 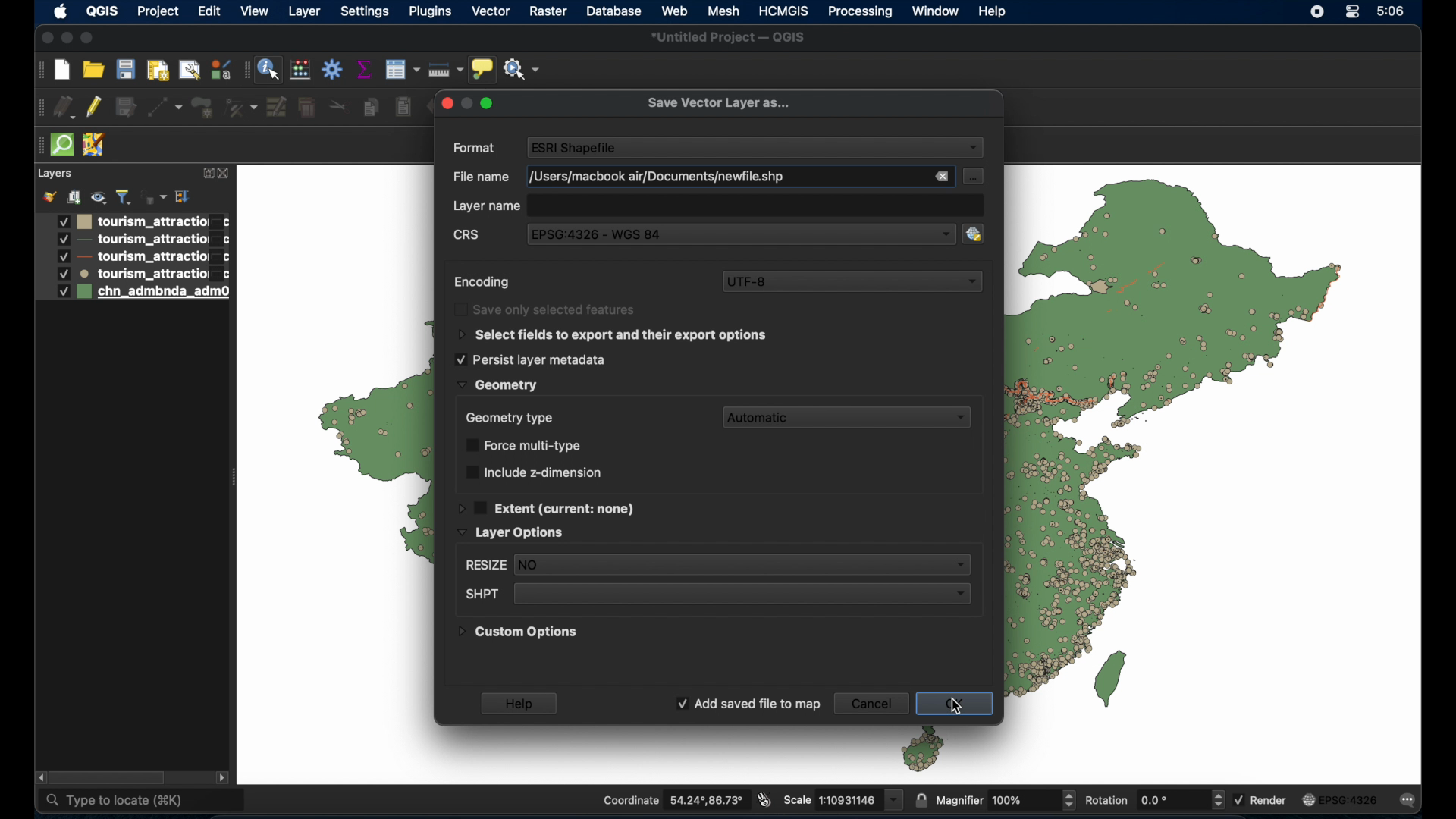 What do you see at coordinates (533, 472) in the screenshot?
I see `include z dimension checkbox` at bounding box center [533, 472].